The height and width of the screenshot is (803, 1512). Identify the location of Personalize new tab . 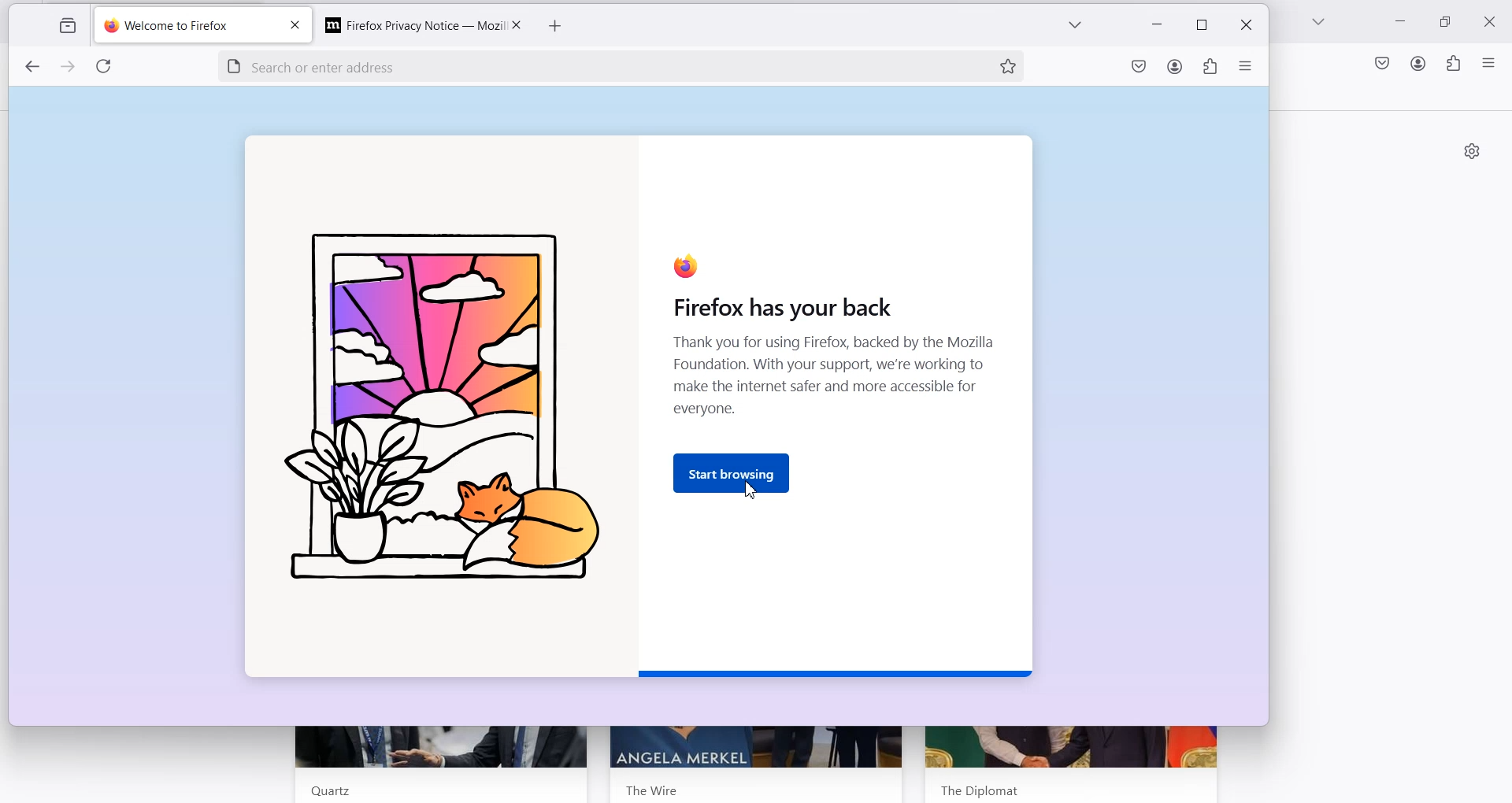
(1472, 150).